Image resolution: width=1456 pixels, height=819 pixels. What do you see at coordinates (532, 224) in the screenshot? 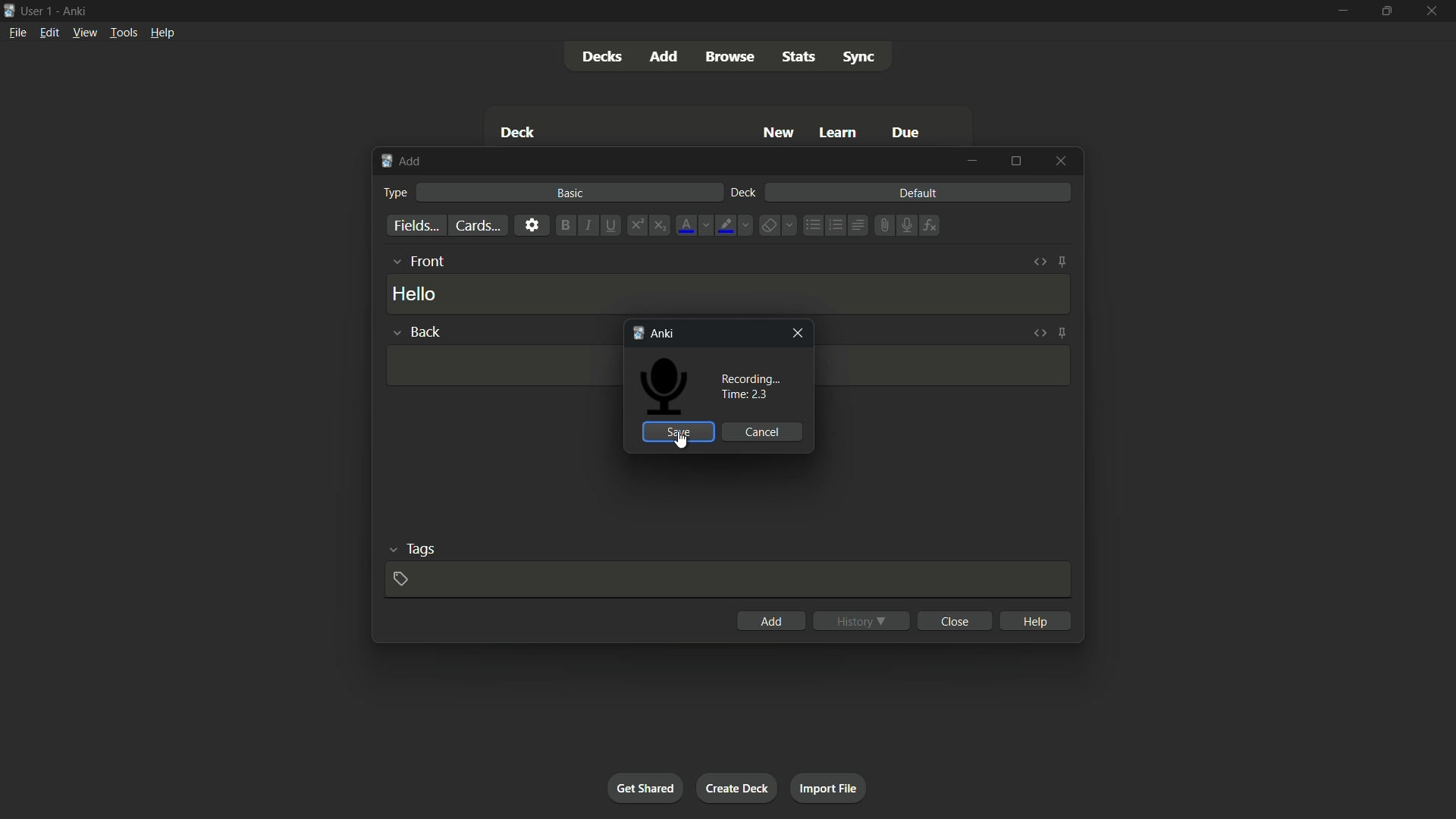
I see `settings` at bounding box center [532, 224].